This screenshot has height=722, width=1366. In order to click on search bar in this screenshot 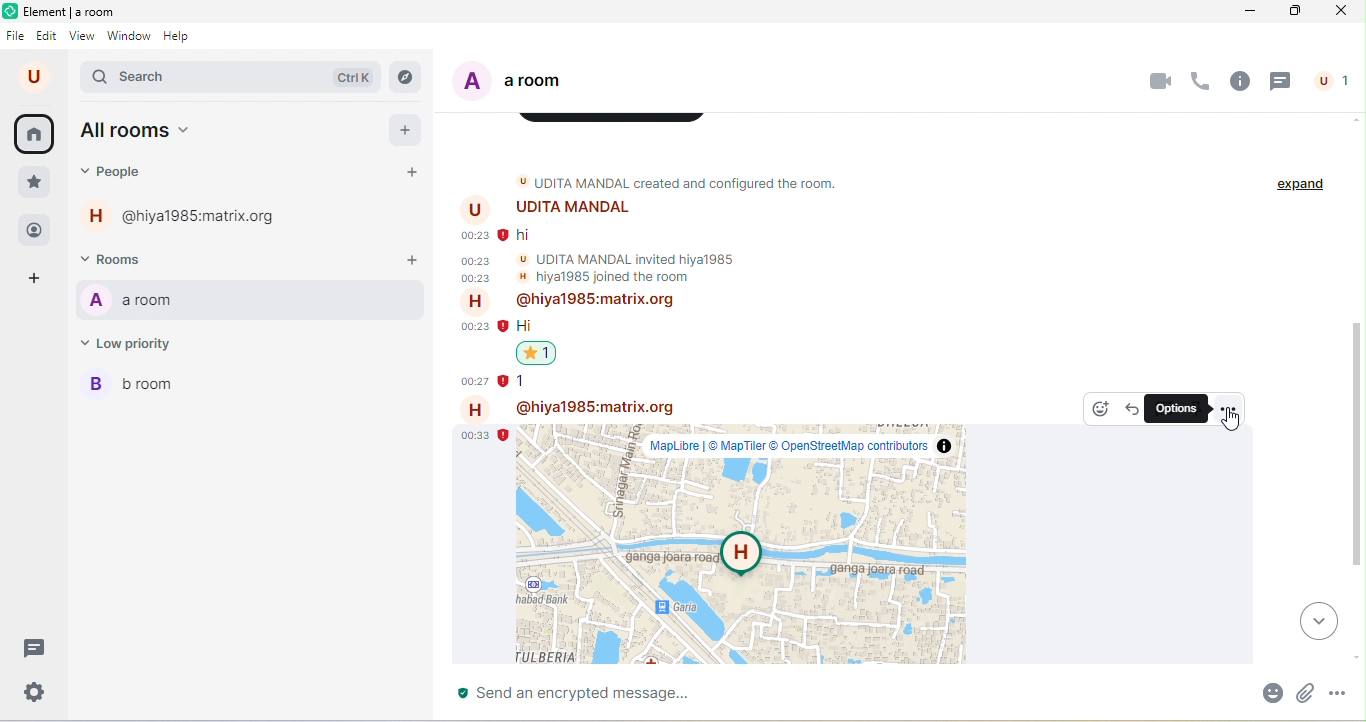, I will do `click(232, 77)`.